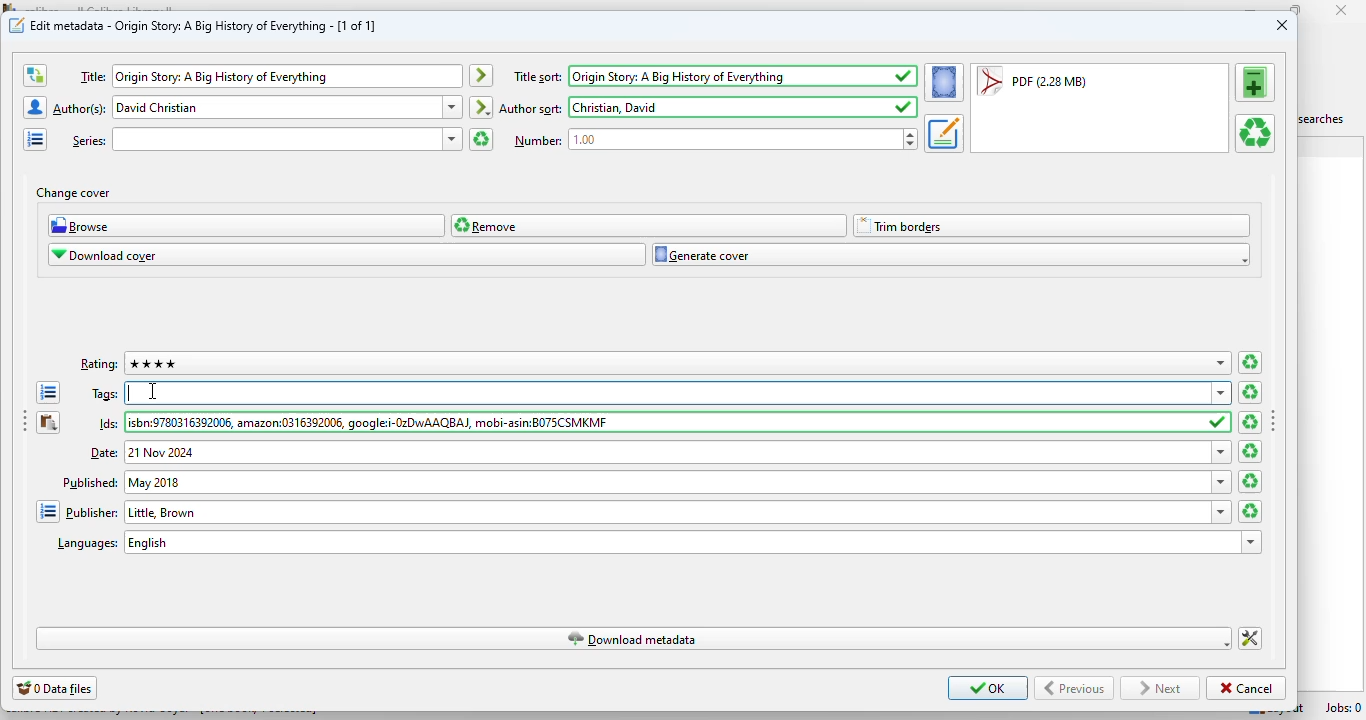  What do you see at coordinates (911, 139) in the screenshot?
I see `increase or decrease number` at bounding box center [911, 139].